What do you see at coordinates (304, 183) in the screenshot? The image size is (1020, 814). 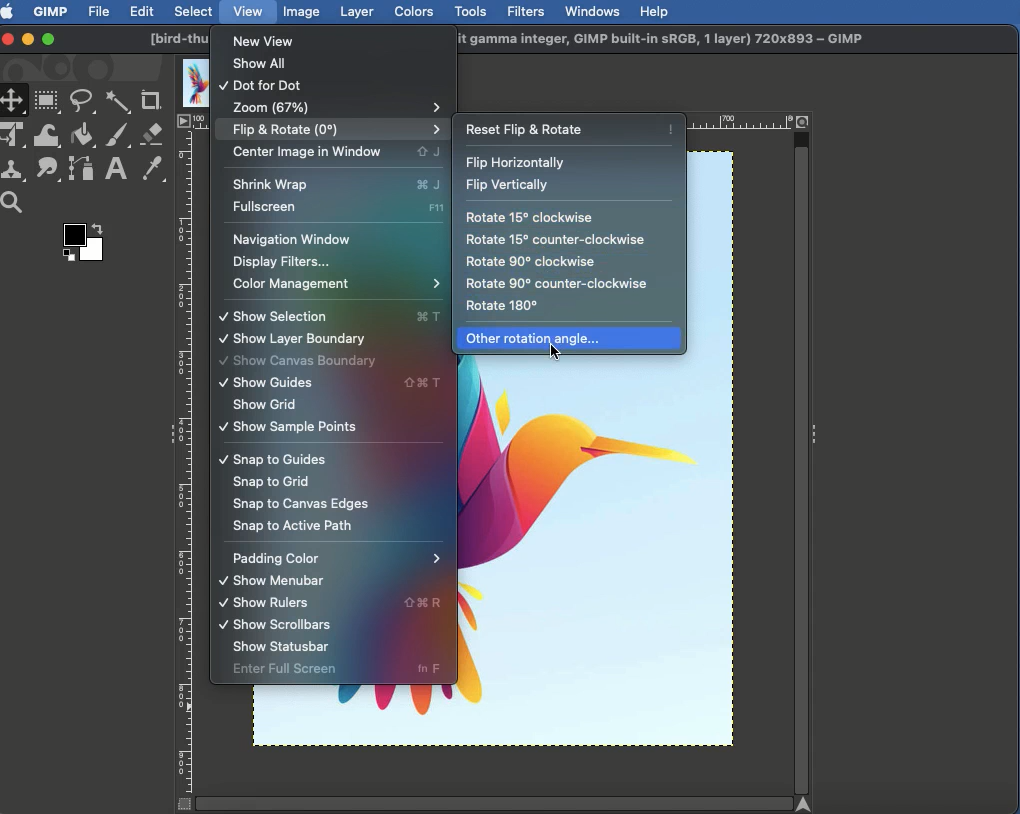 I see `Shrink wrap` at bounding box center [304, 183].